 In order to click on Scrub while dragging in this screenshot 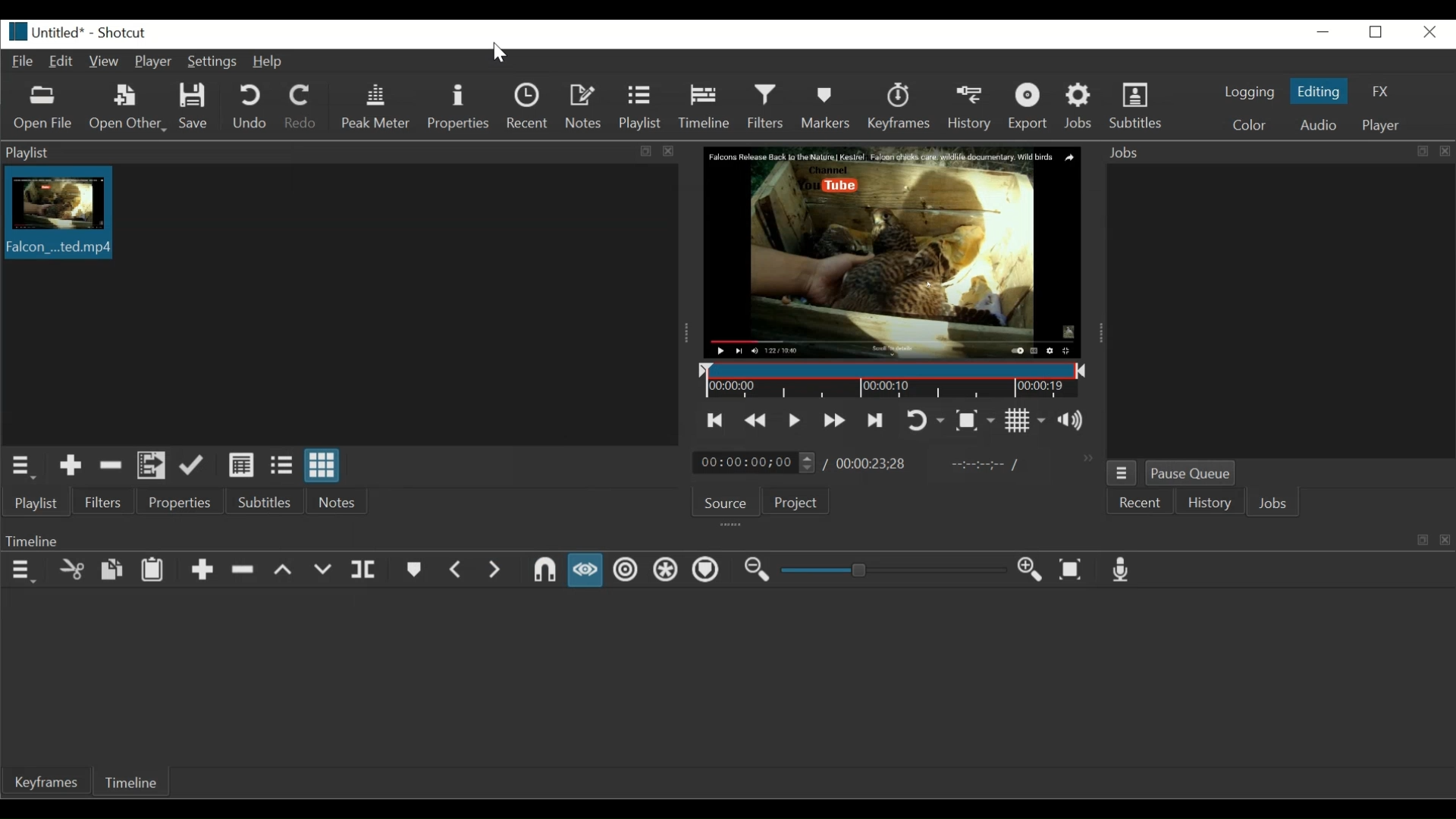, I will do `click(588, 570)`.